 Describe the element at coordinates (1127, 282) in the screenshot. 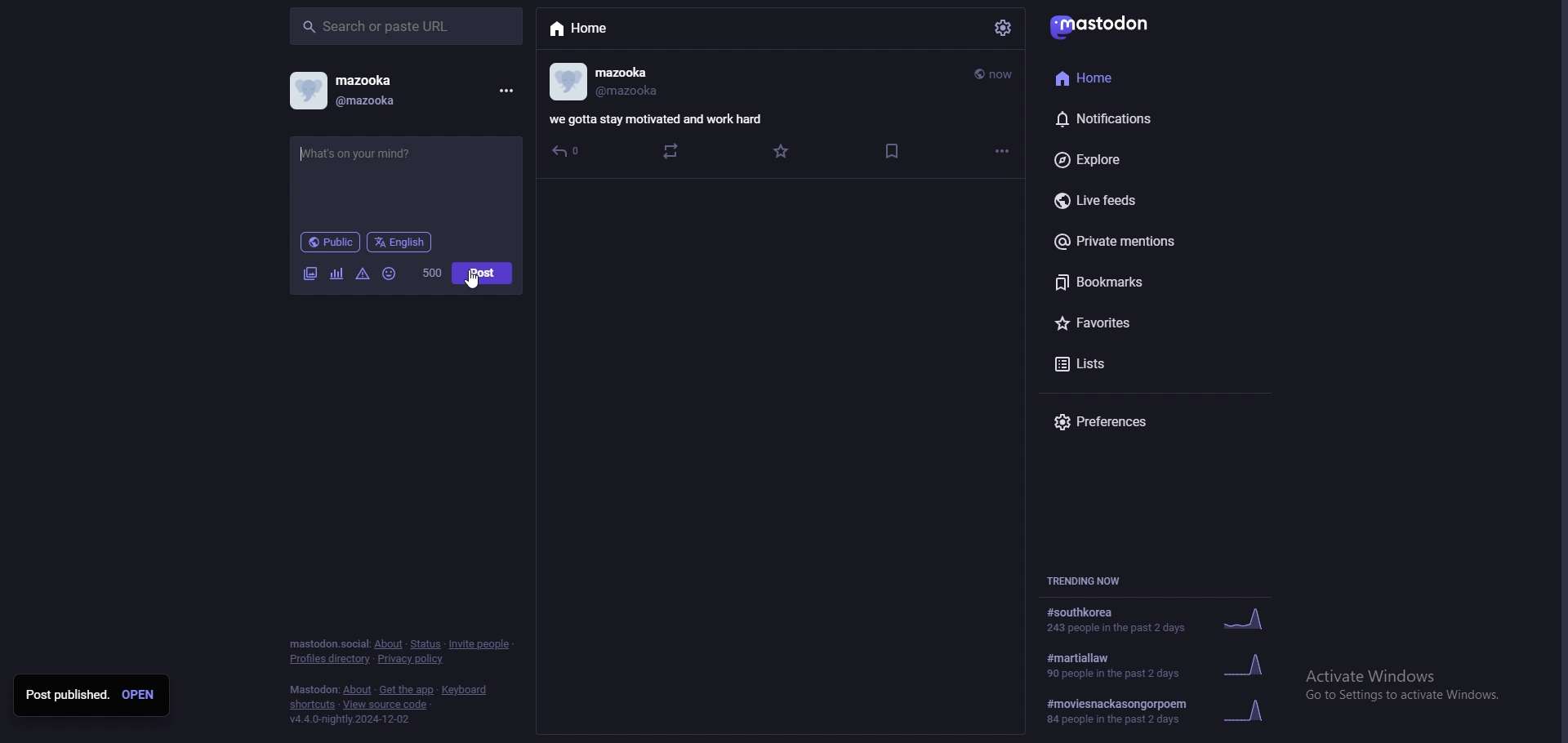

I see `bookmarks` at that location.